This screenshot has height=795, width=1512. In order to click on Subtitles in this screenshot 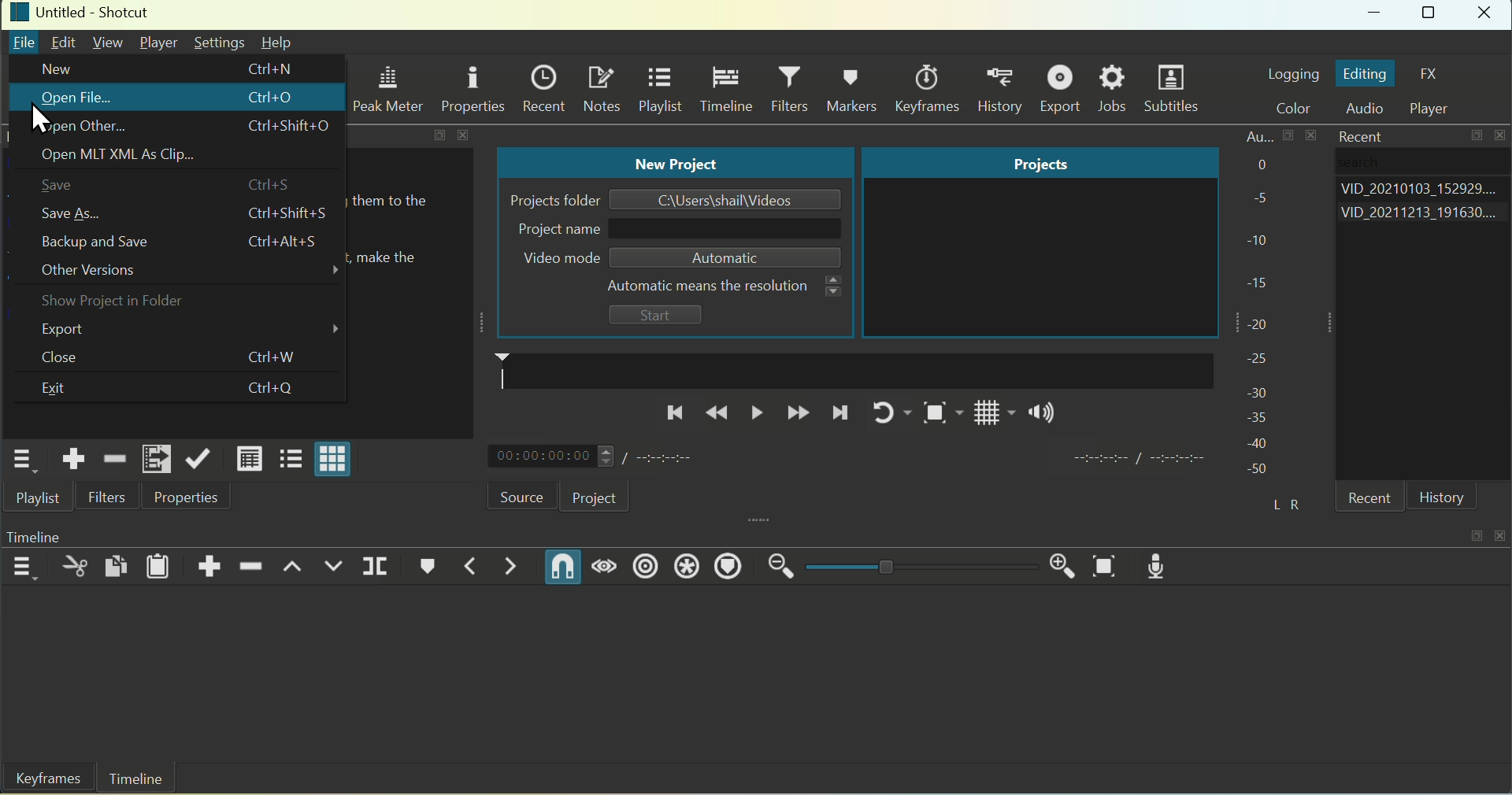, I will do `click(1175, 91)`.